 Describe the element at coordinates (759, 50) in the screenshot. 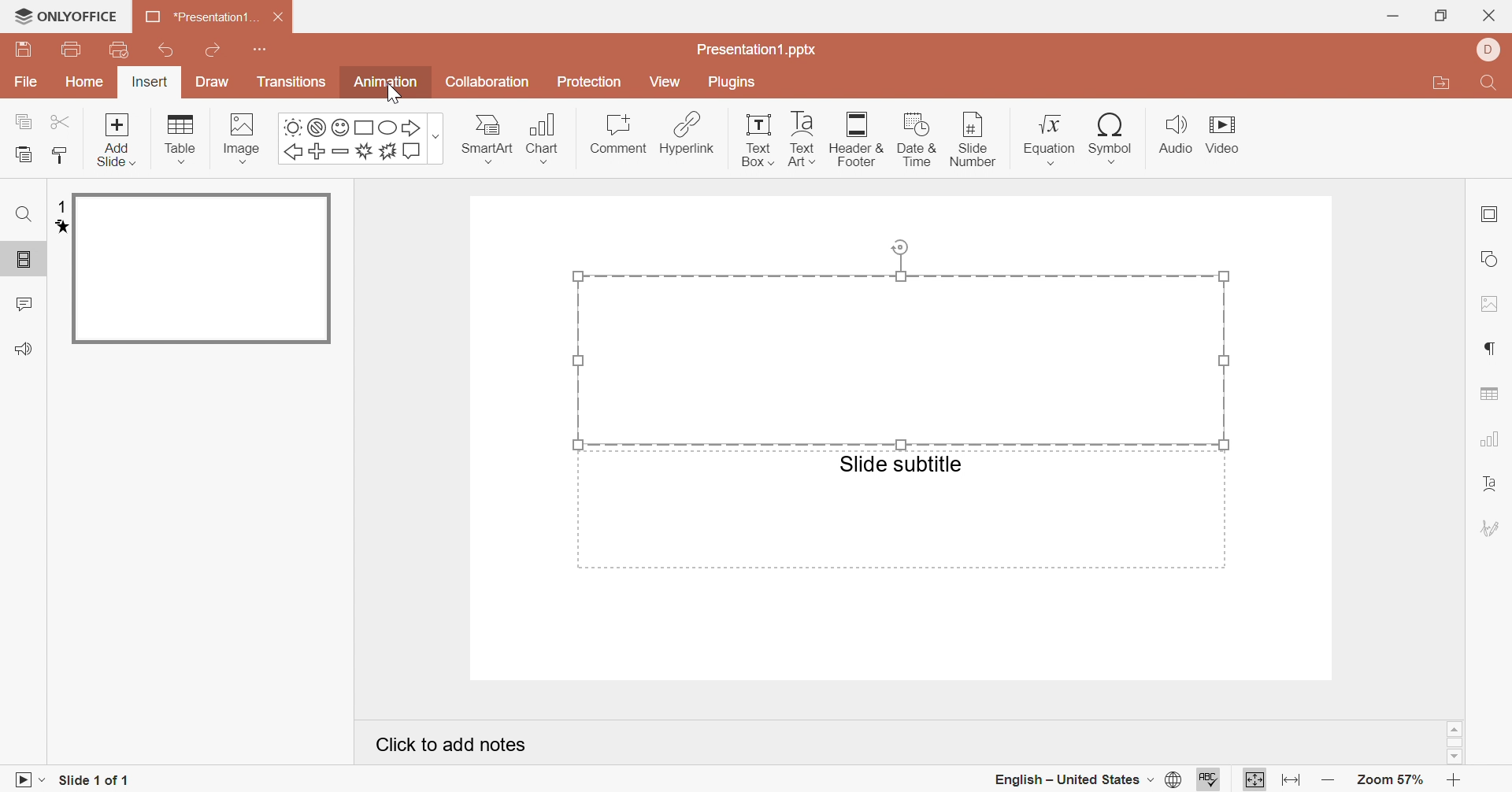

I see `presentation1.pptx` at that location.